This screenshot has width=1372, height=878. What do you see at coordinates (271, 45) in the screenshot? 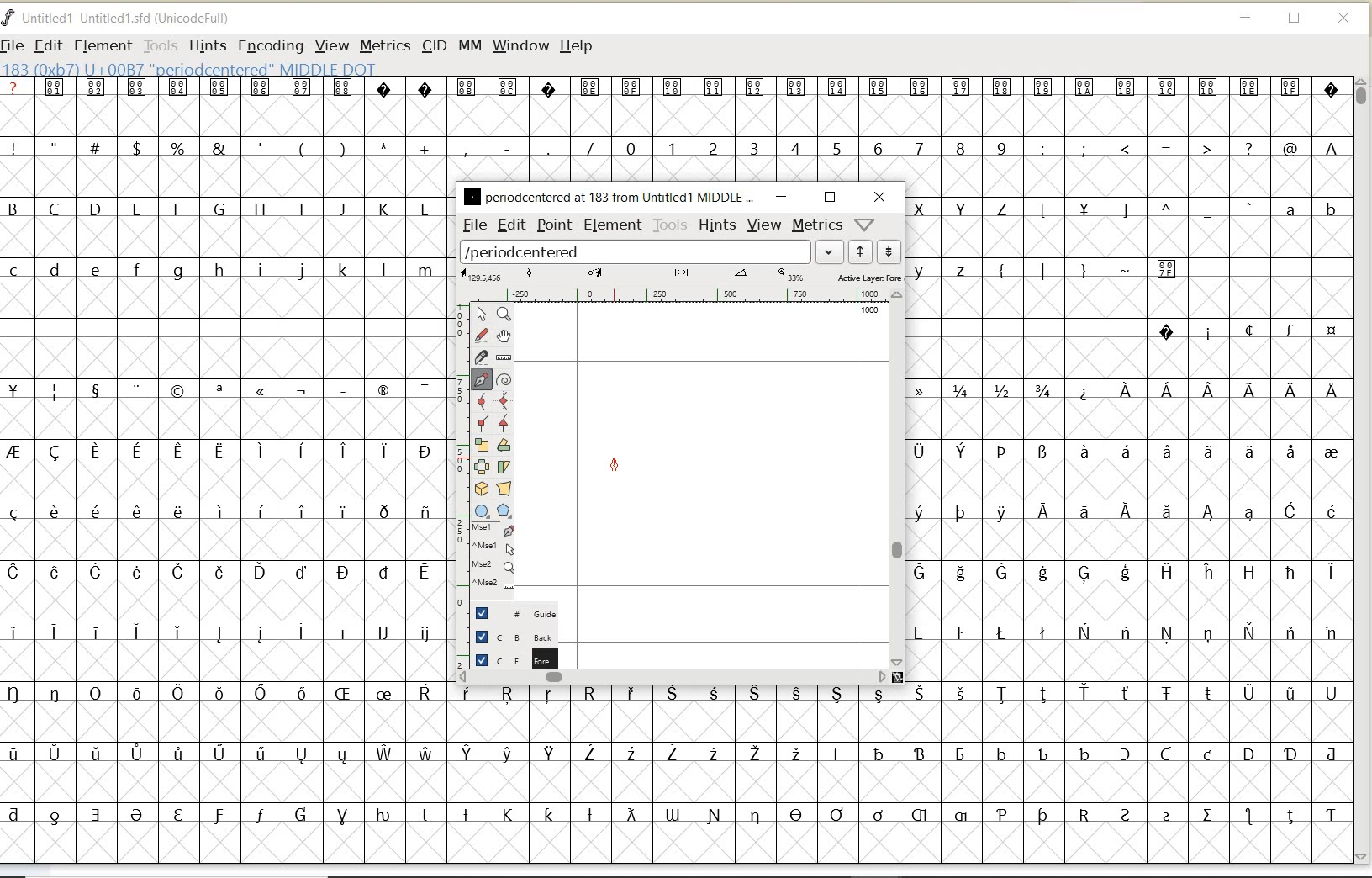
I see `ENCODING` at bounding box center [271, 45].